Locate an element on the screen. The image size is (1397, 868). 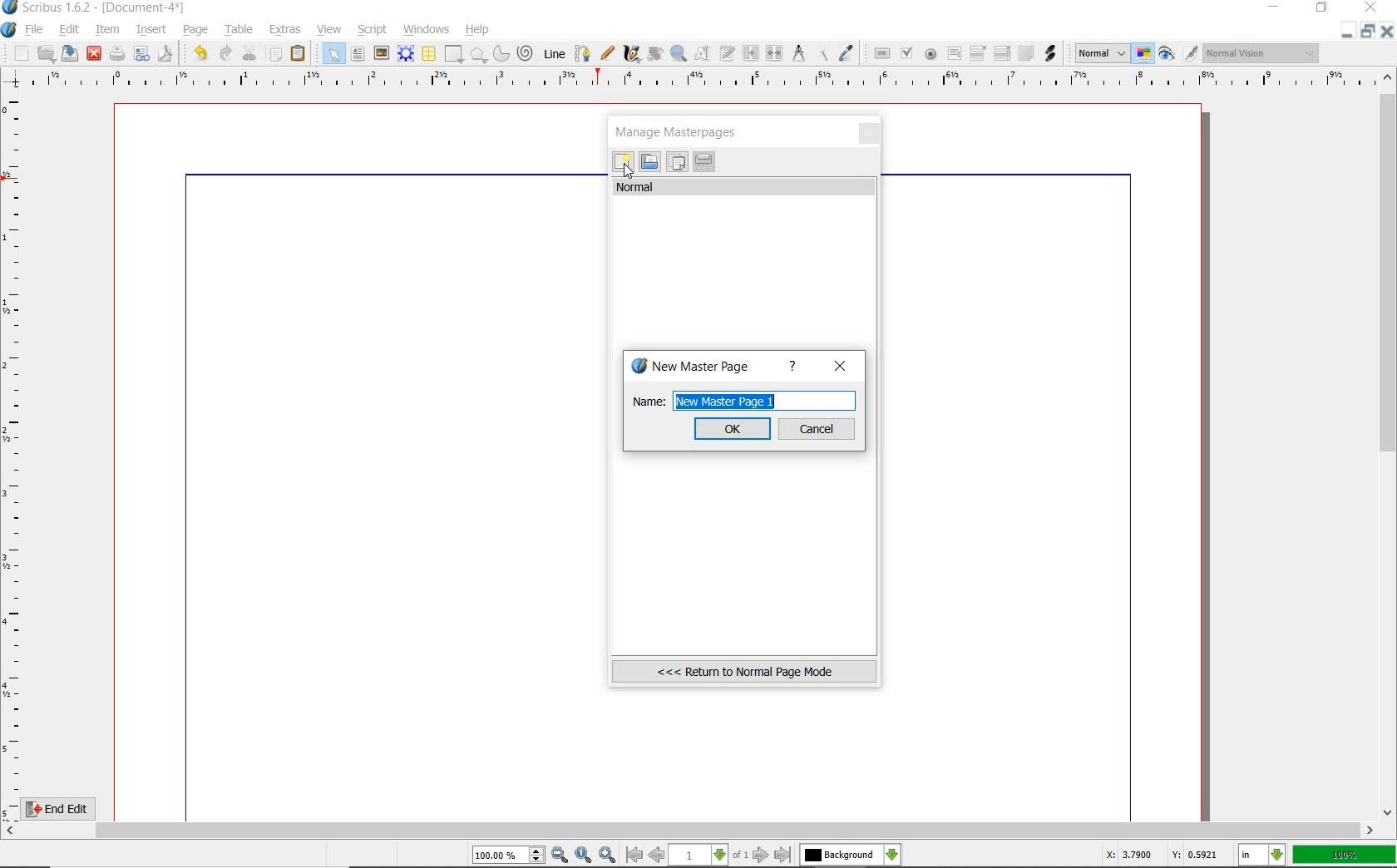
new is located at coordinates (16, 53).